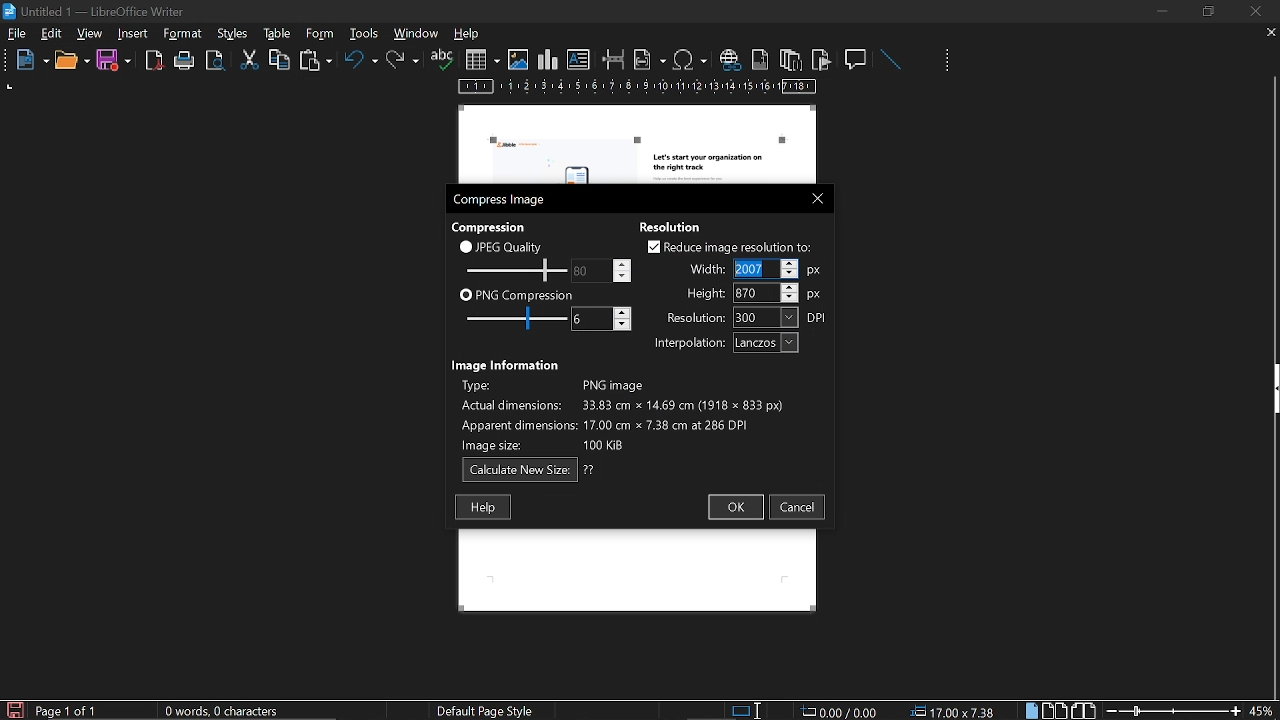 This screenshot has height=720, width=1280. I want to click on insert endnote, so click(790, 59).